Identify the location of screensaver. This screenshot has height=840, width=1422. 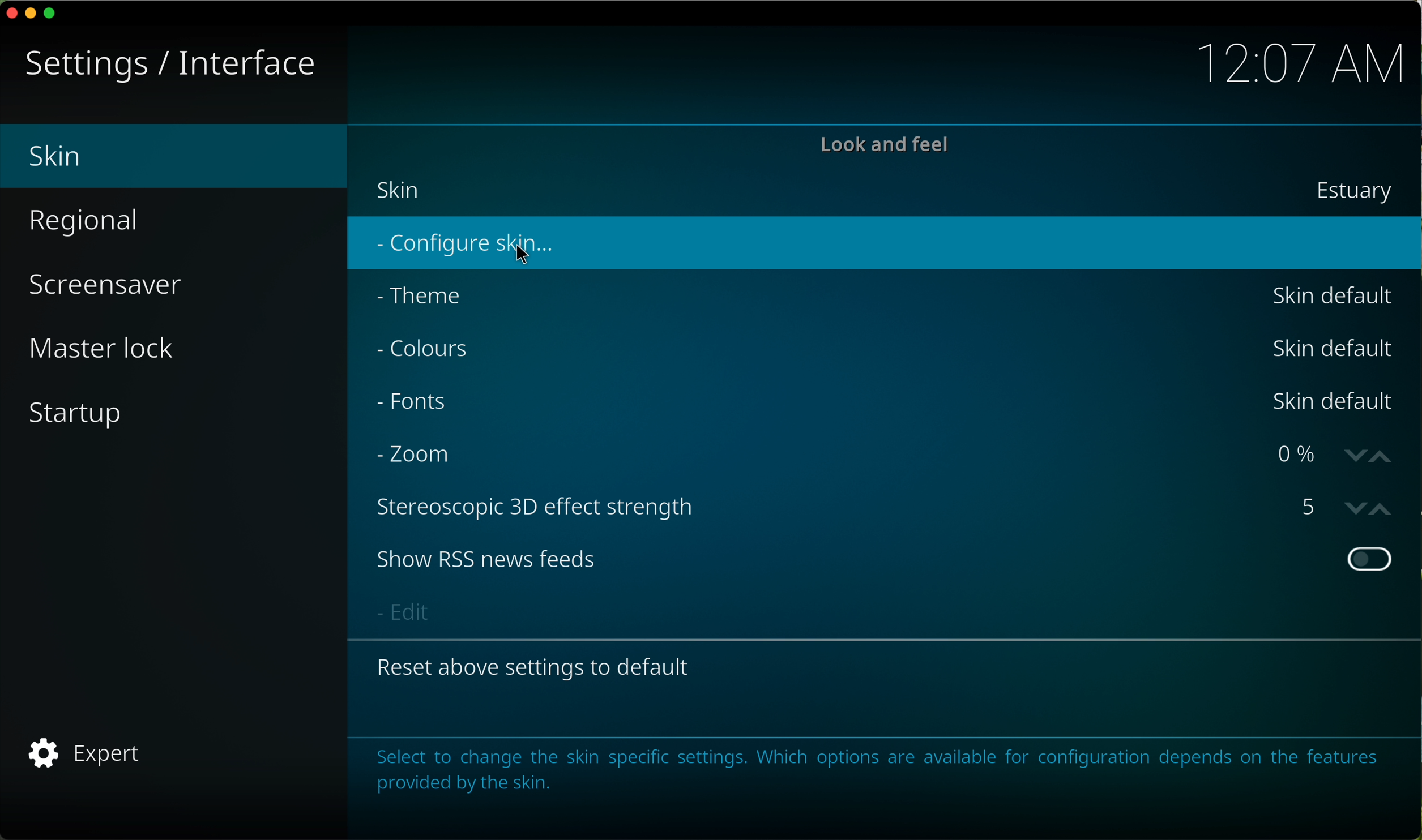
(103, 287).